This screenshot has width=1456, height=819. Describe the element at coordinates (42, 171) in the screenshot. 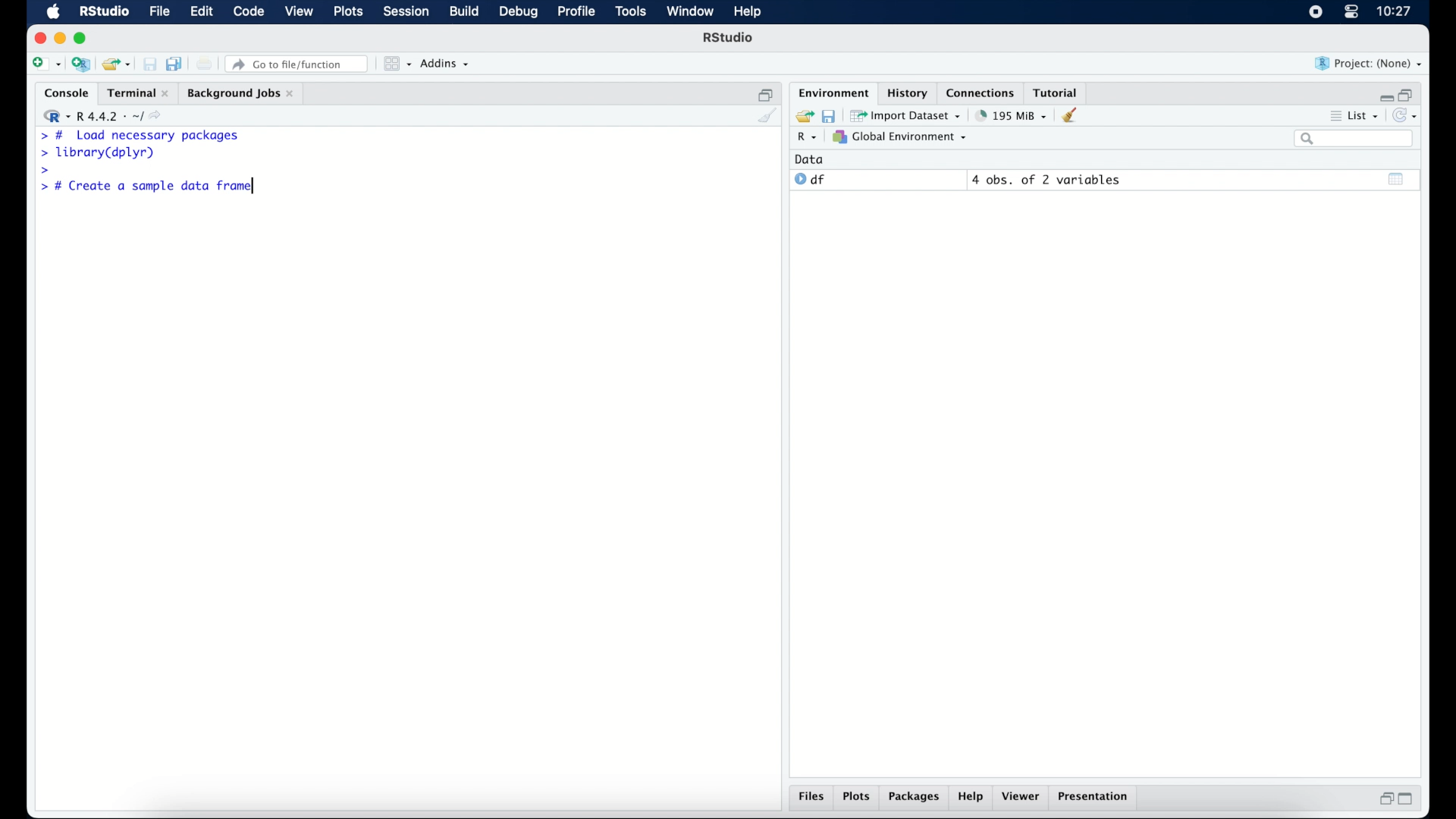

I see `command prompt` at that location.